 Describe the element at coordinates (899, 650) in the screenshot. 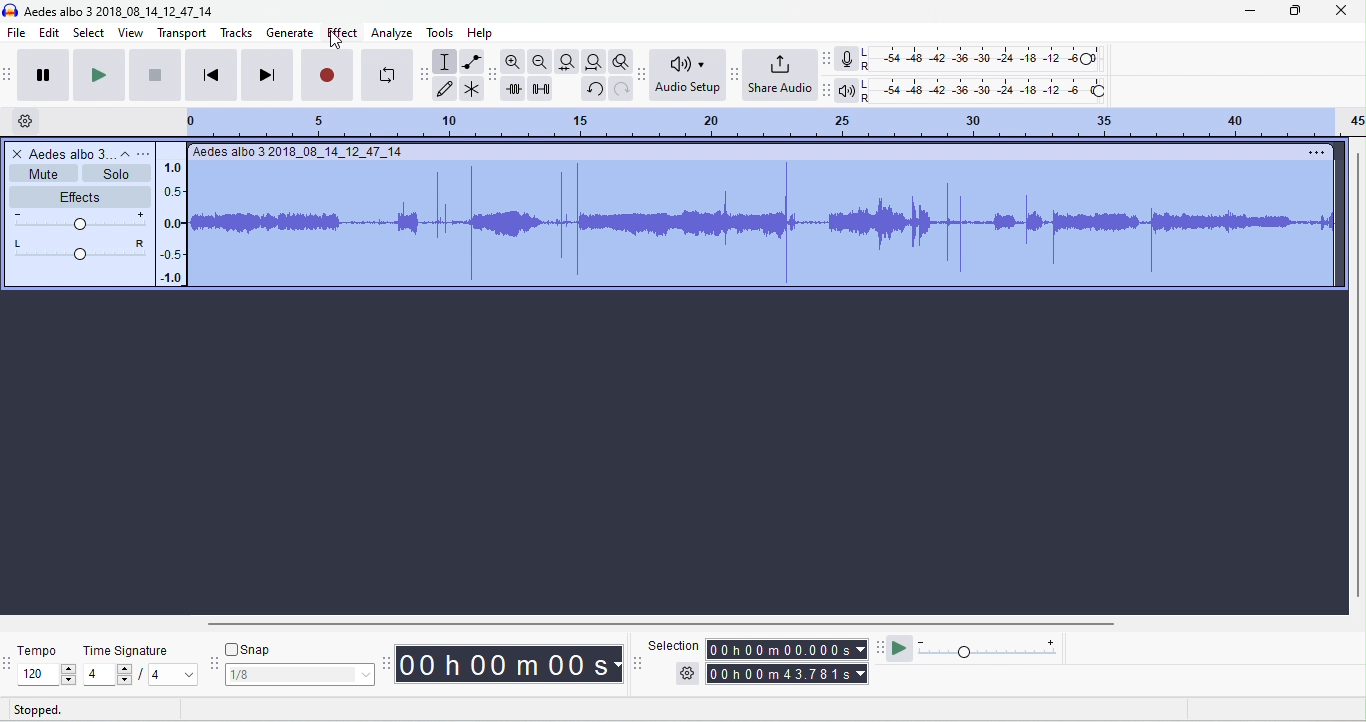

I see `play at speed / play at speed once` at that location.